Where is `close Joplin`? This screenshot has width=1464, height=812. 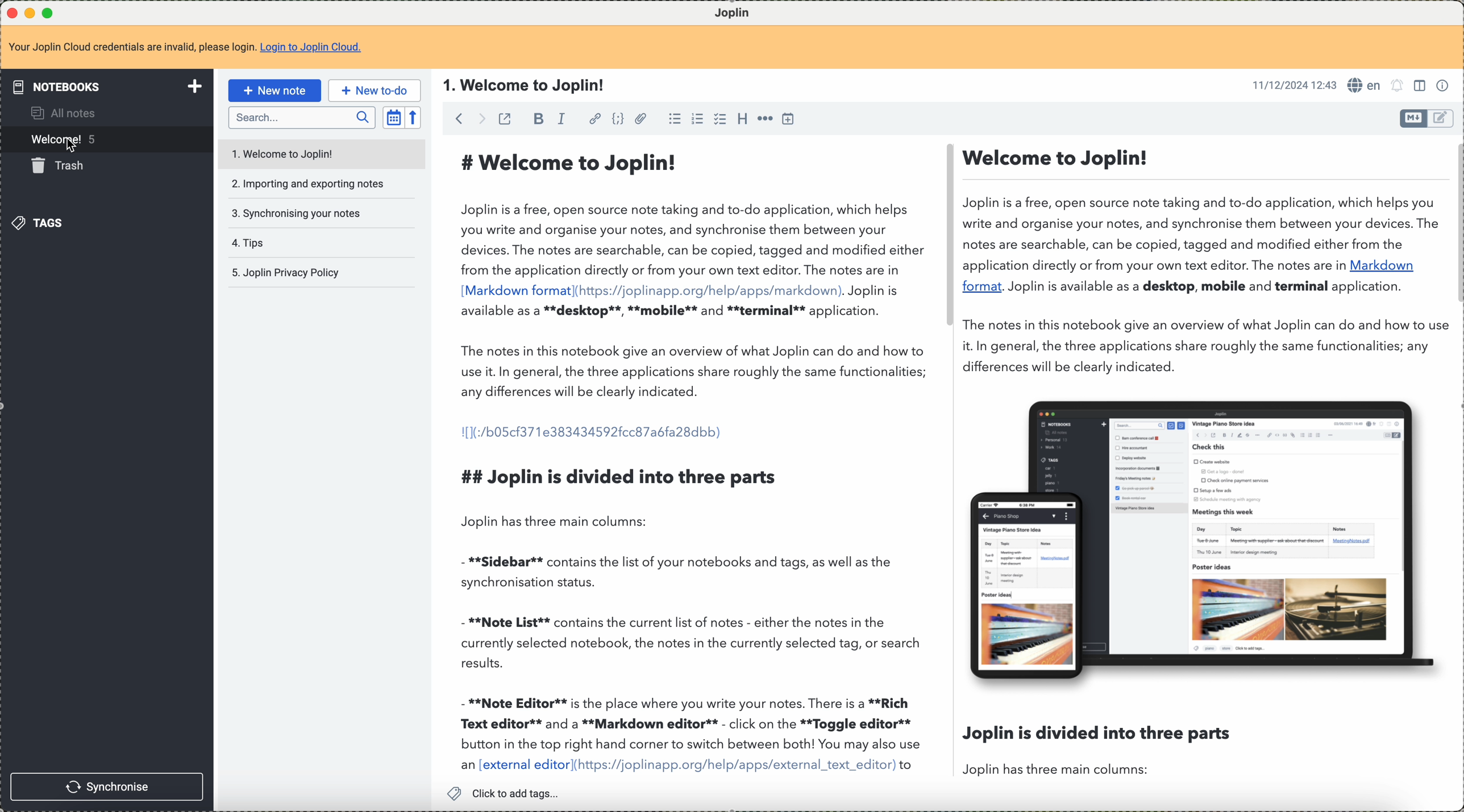 close Joplin is located at coordinates (11, 14).